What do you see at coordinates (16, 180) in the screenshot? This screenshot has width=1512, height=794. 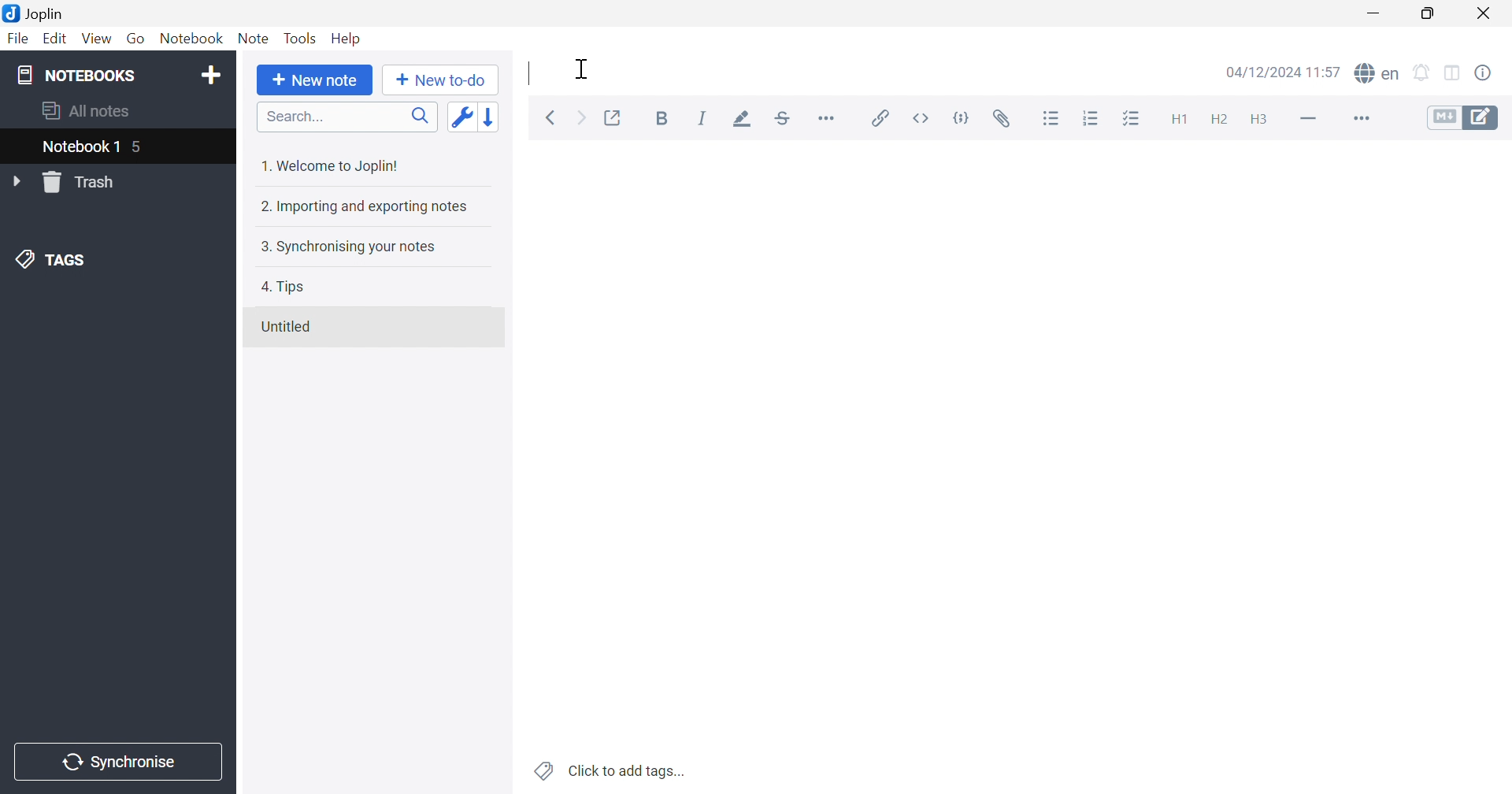 I see `Drop Down` at bounding box center [16, 180].